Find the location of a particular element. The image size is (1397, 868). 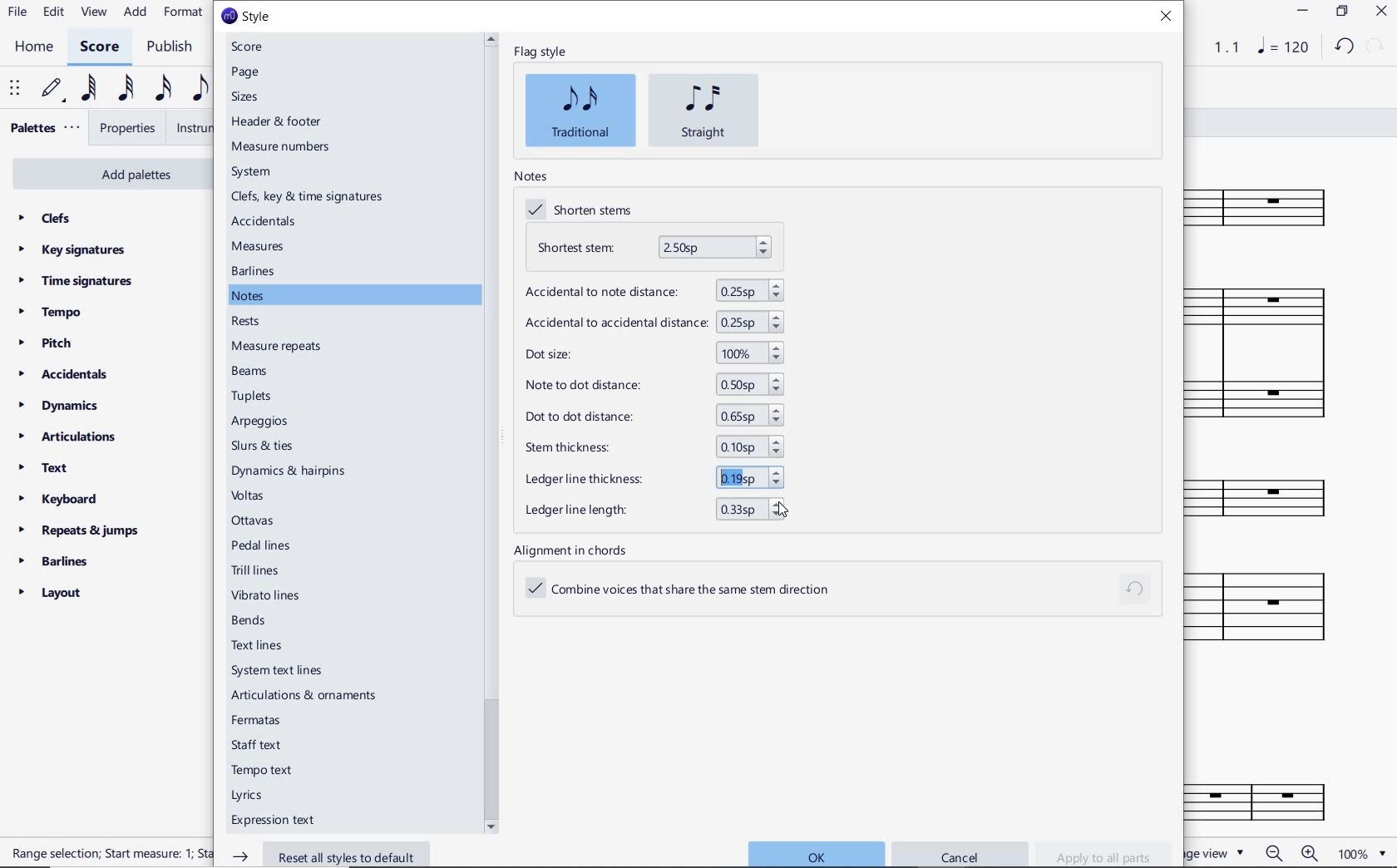

time signatures is located at coordinates (77, 284).